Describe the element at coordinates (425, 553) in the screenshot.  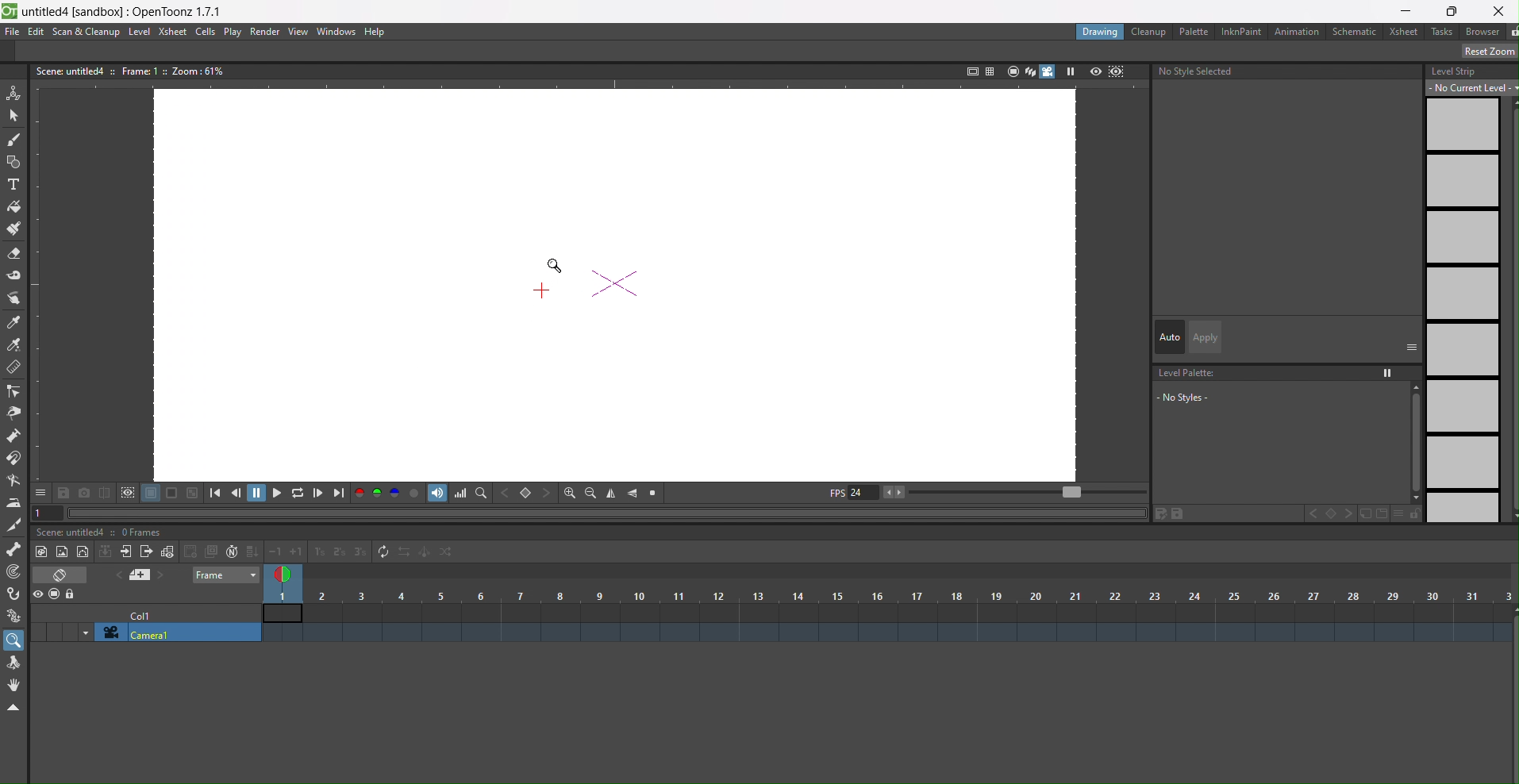
I see `` at that location.